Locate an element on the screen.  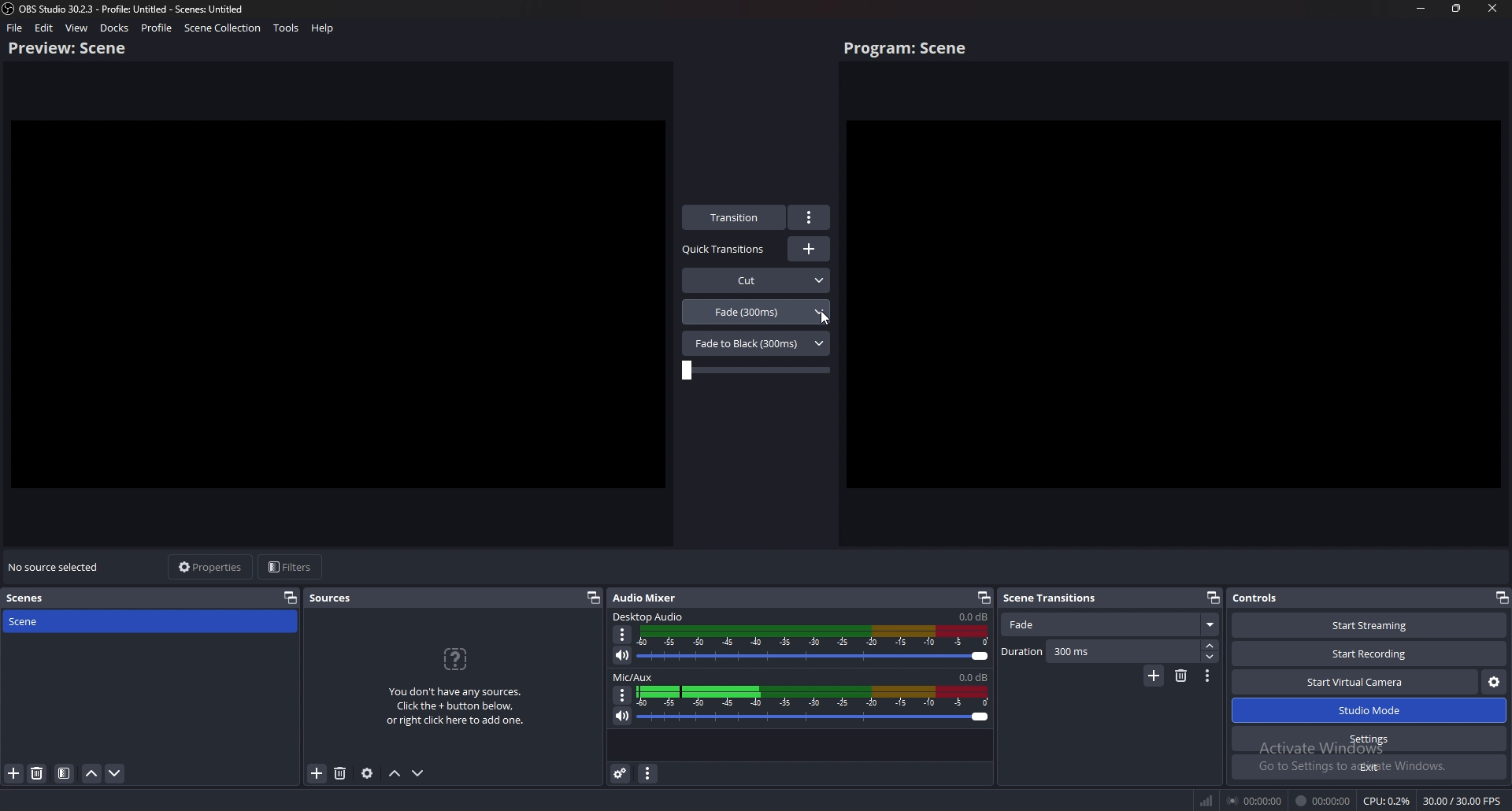
Fate to black(300ms) is located at coordinates (756, 343).